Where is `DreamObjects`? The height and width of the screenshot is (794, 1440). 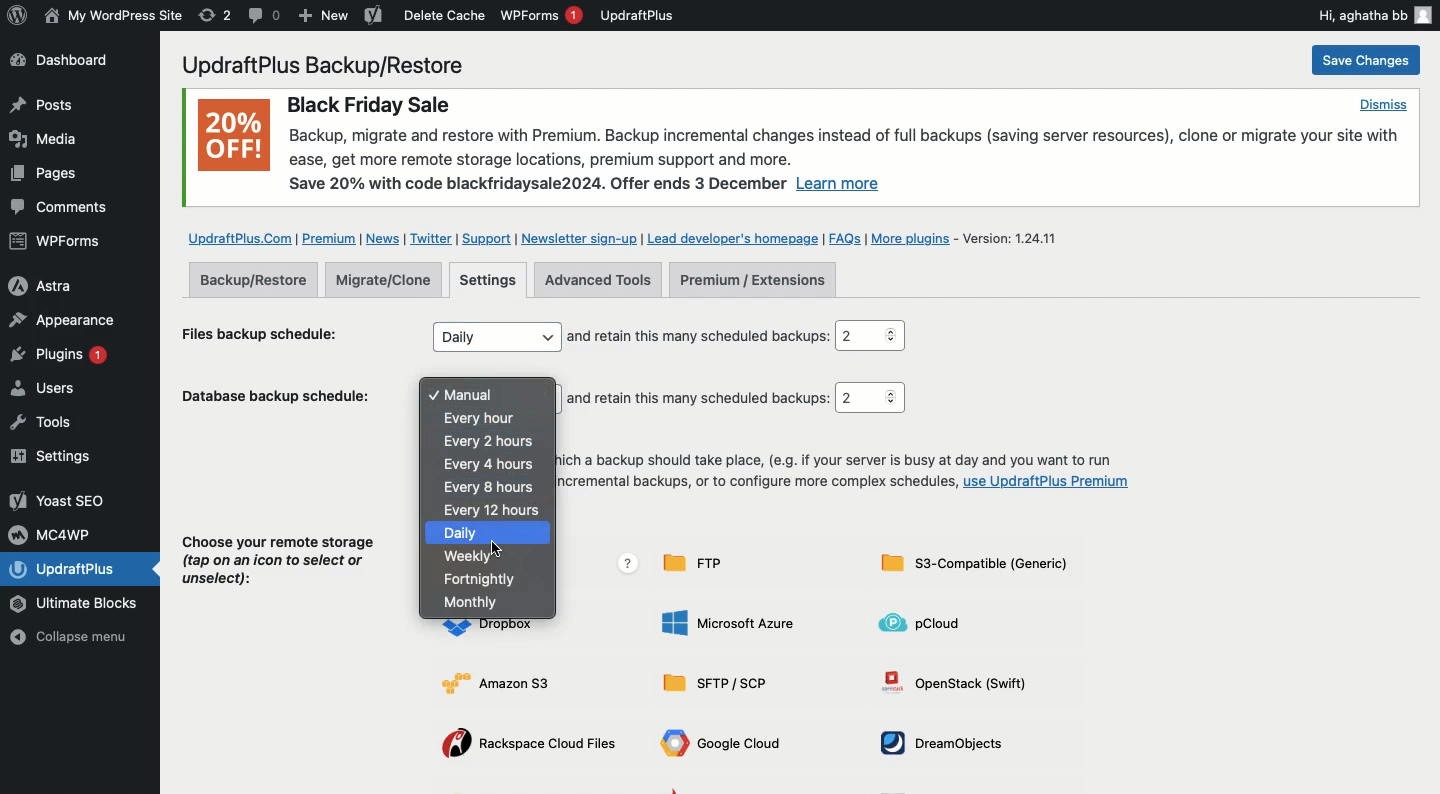
DreamObjects is located at coordinates (949, 743).